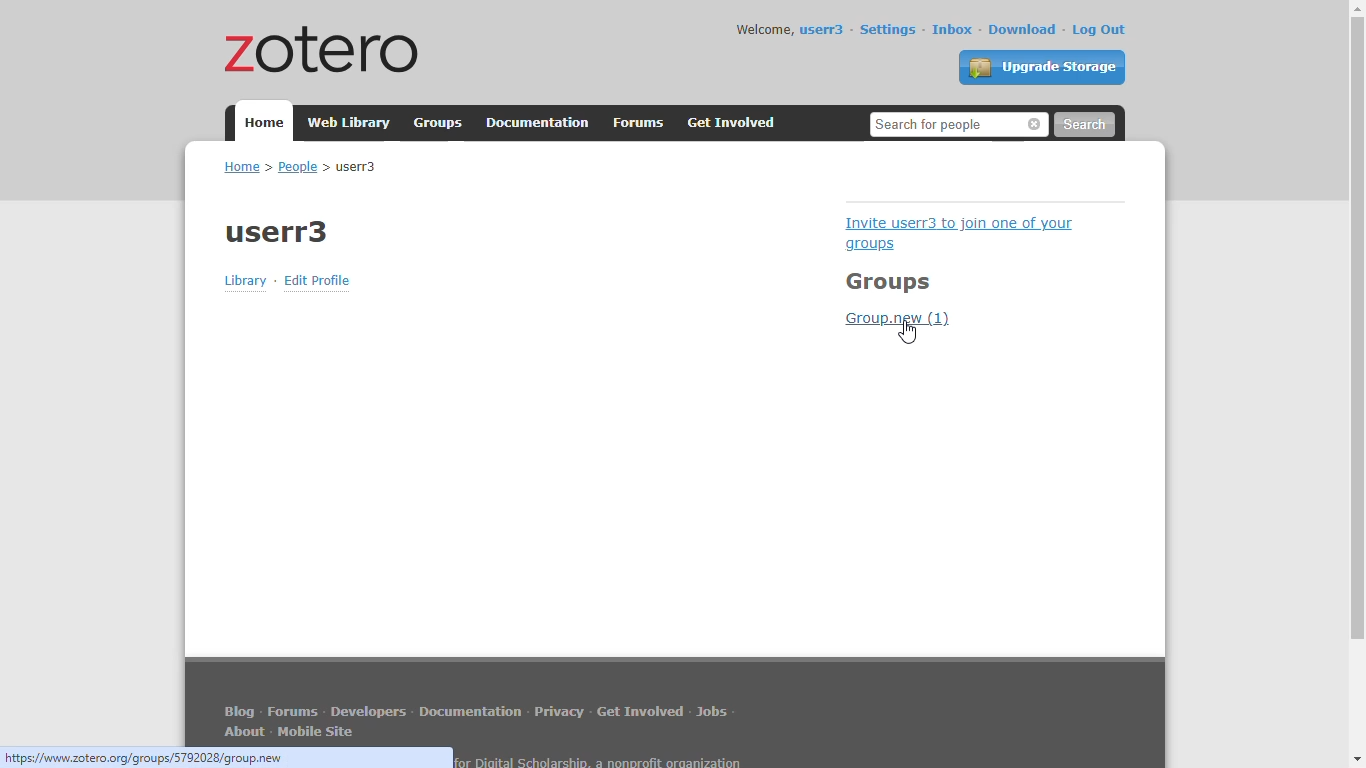 The height and width of the screenshot is (768, 1366). What do you see at coordinates (960, 124) in the screenshot?
I see `search for people` at bounding box center [960, 124].